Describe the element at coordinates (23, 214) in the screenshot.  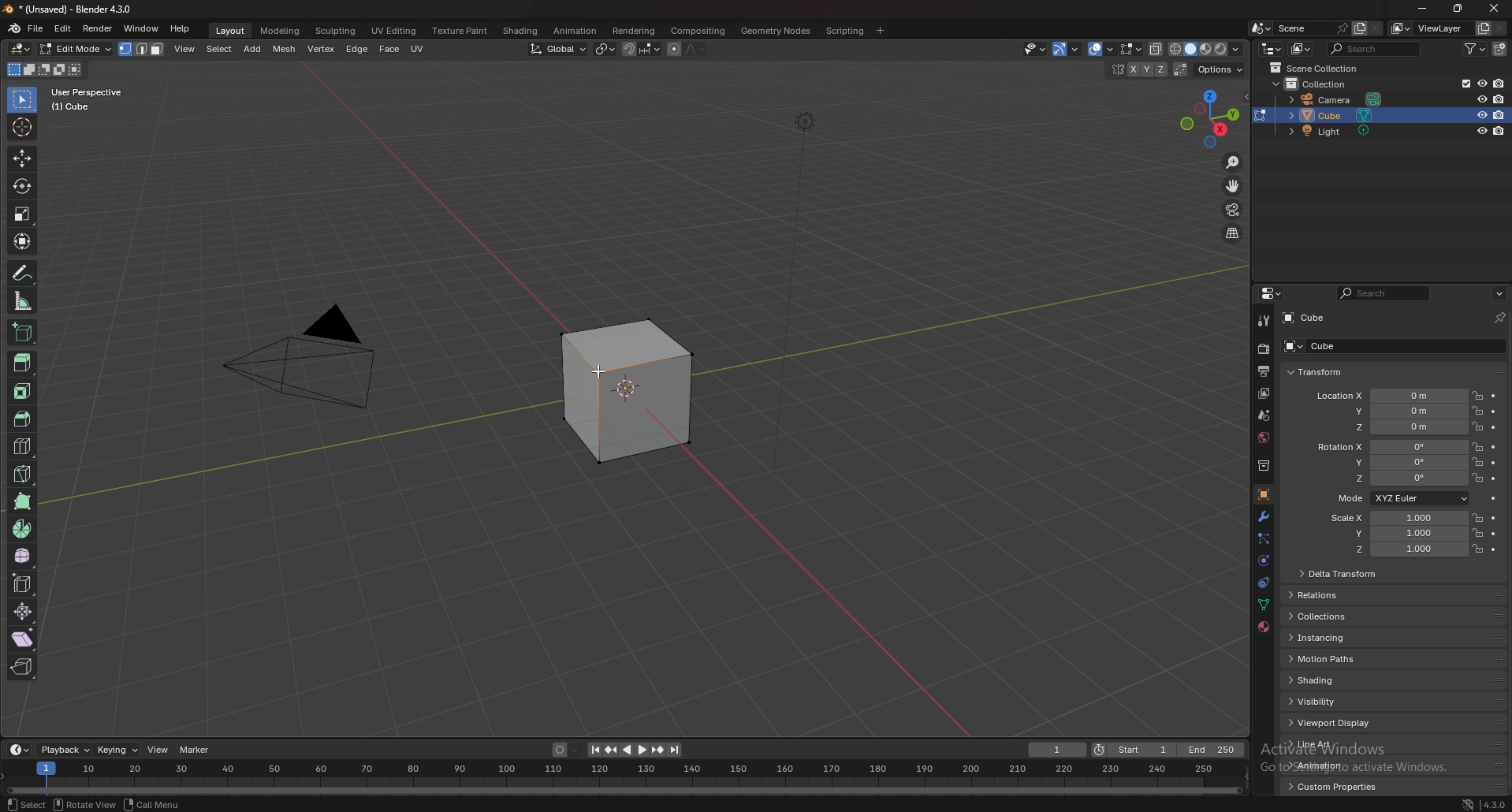
I see `scale` at that location.